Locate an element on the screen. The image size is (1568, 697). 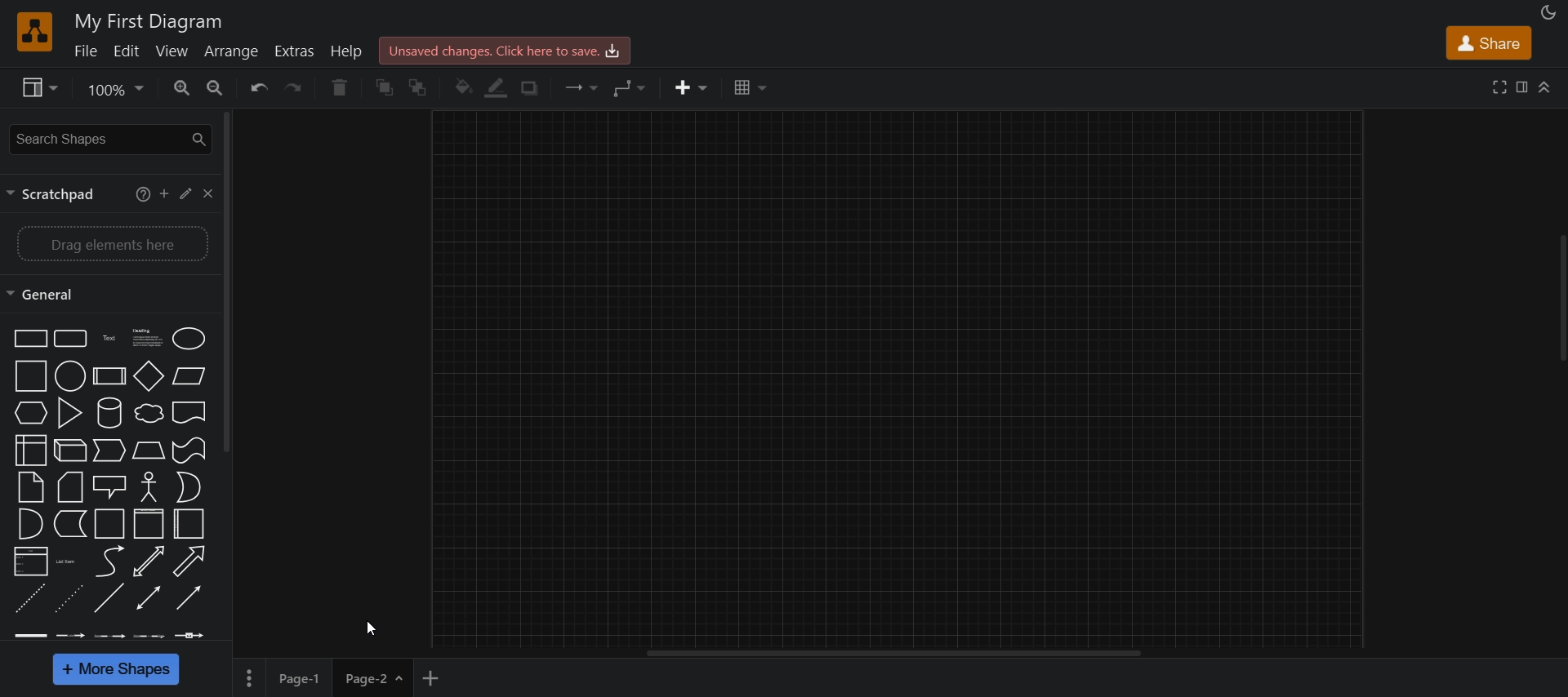
edit is located at coordinates (131, 53).